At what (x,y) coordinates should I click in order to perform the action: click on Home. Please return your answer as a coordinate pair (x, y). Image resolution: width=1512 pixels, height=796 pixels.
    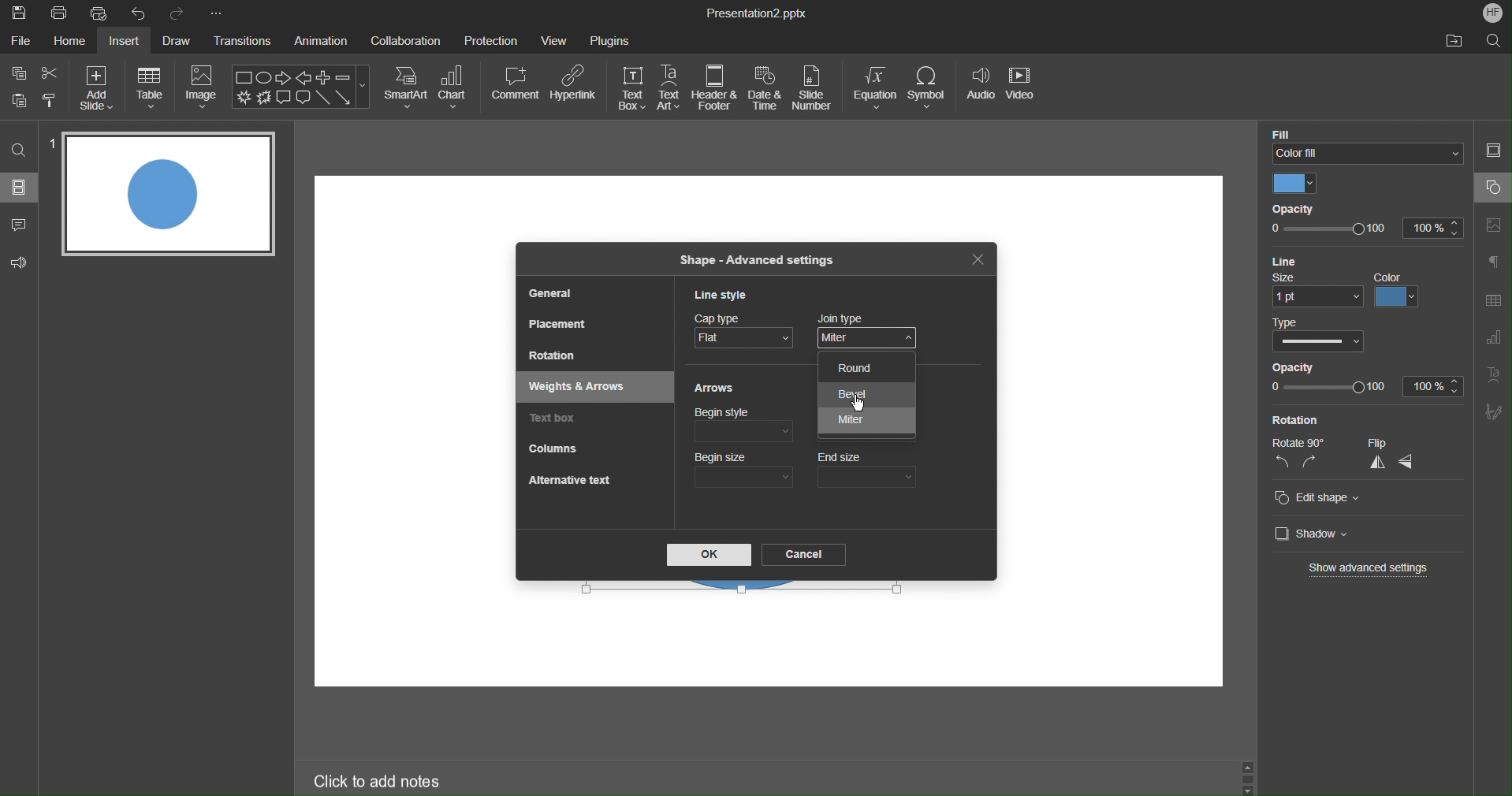
    Looking at the image, I should click on (68, 42).